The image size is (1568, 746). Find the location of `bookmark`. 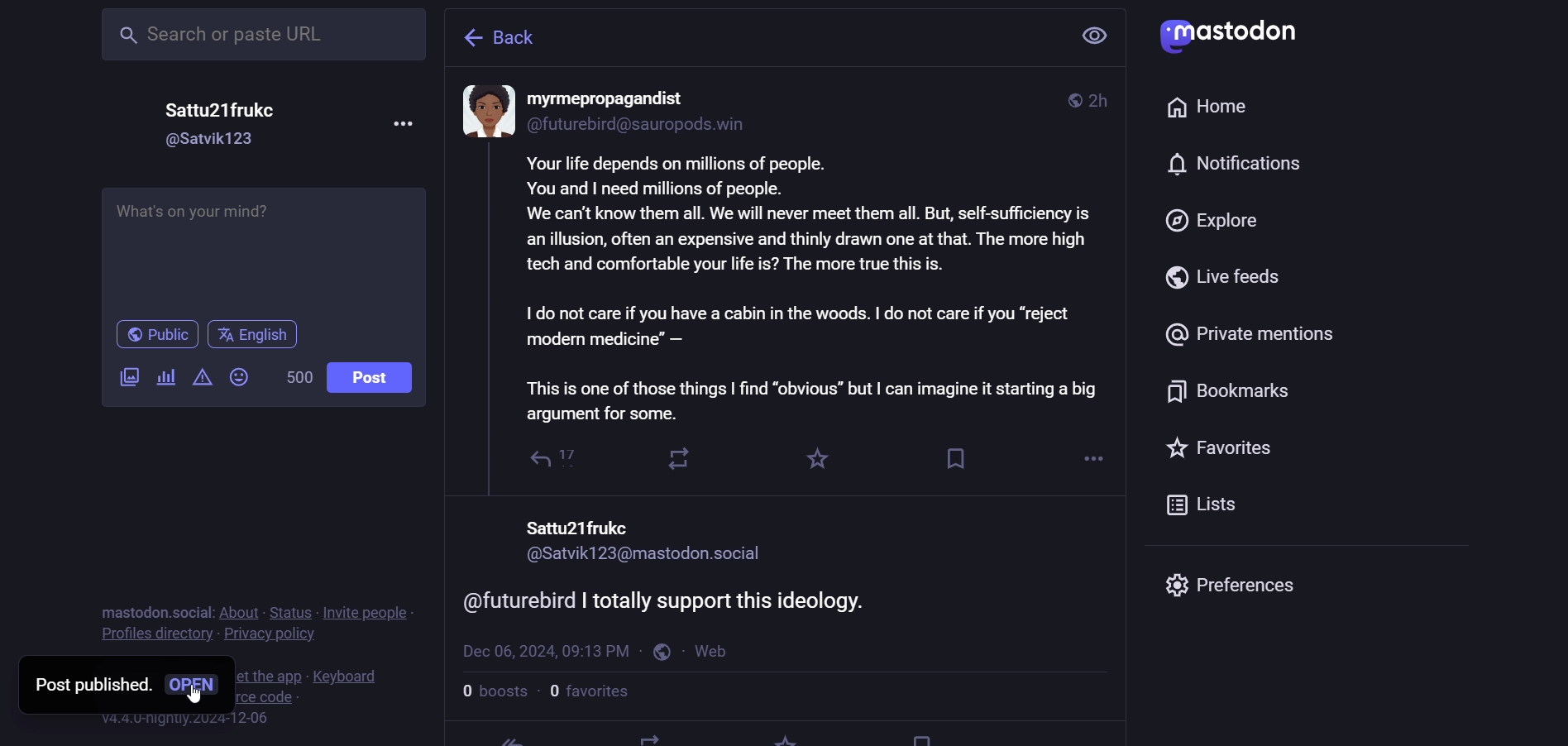

bookmark is located at coordinates (1230, 390).